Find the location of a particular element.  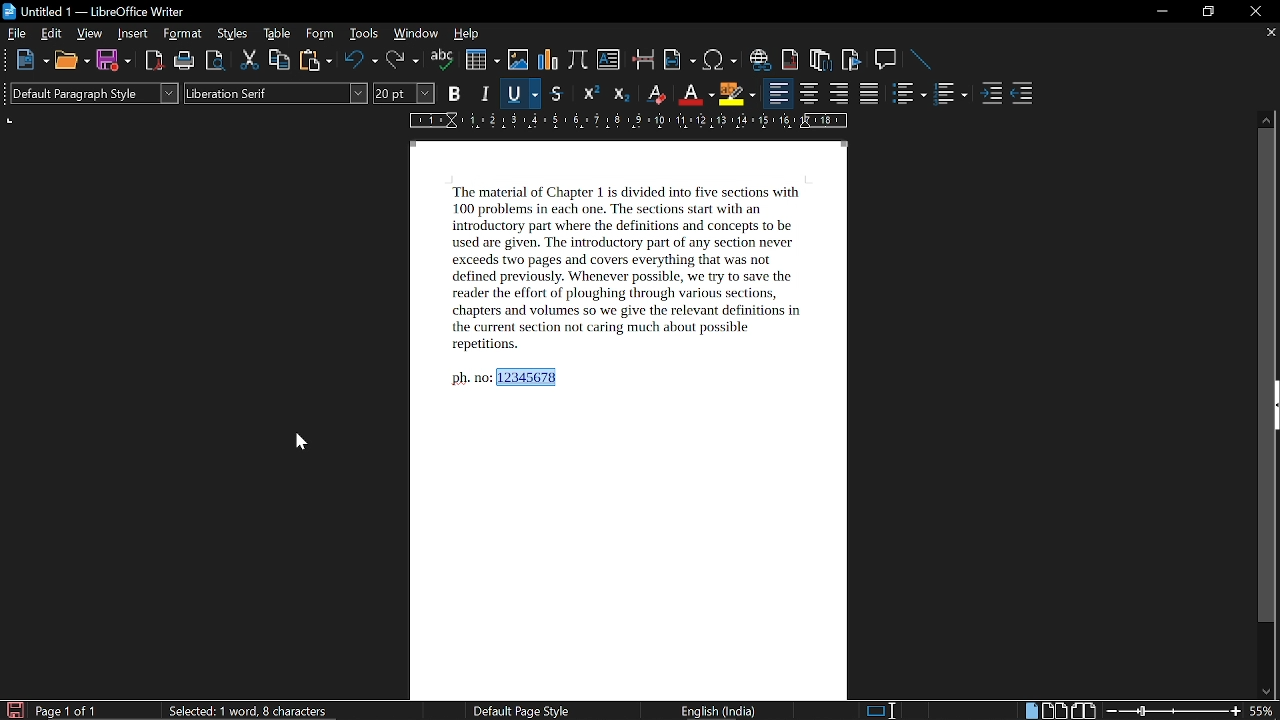

tools is located at coordinates (363, 35).